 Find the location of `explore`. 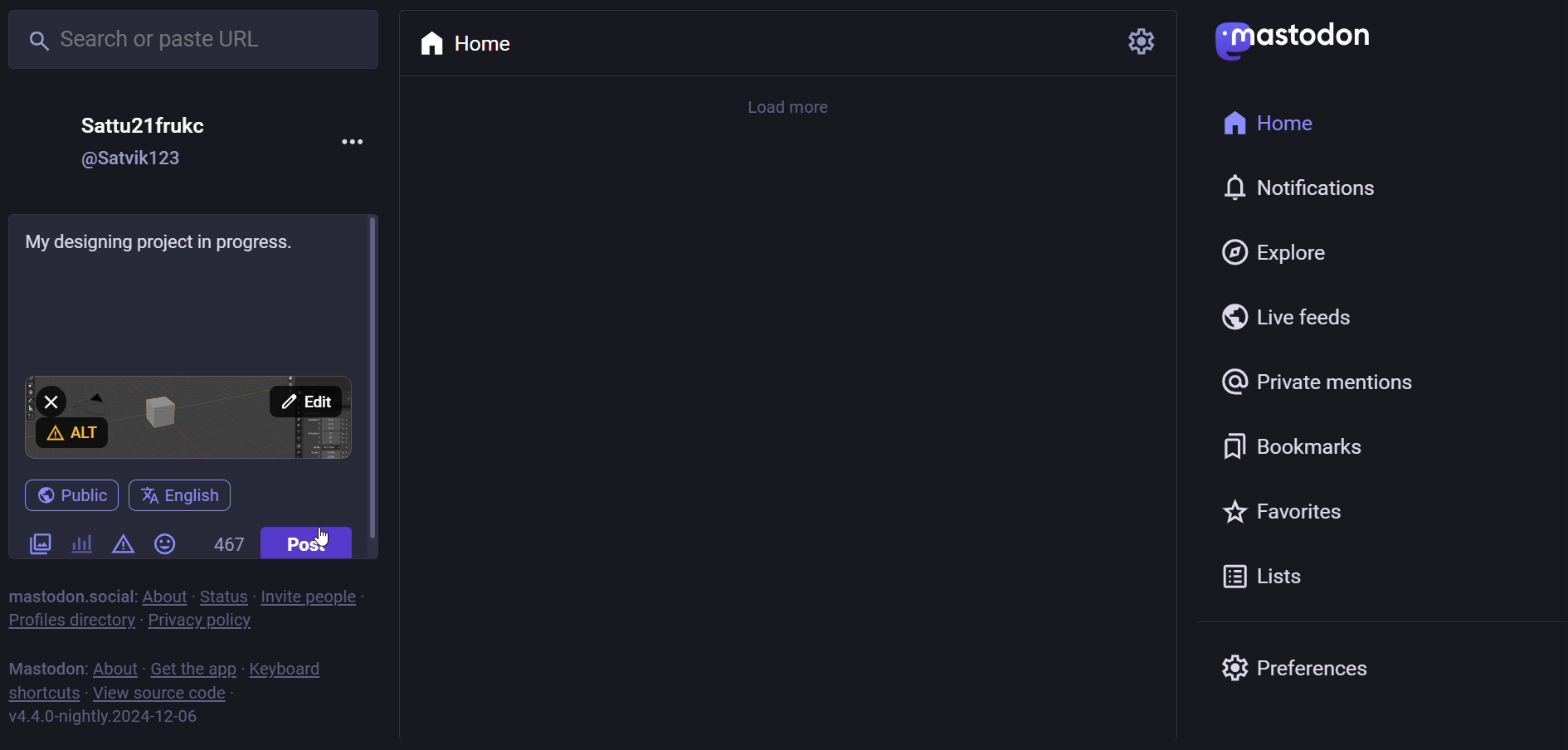

explore is located at coordinates (1275, 252).